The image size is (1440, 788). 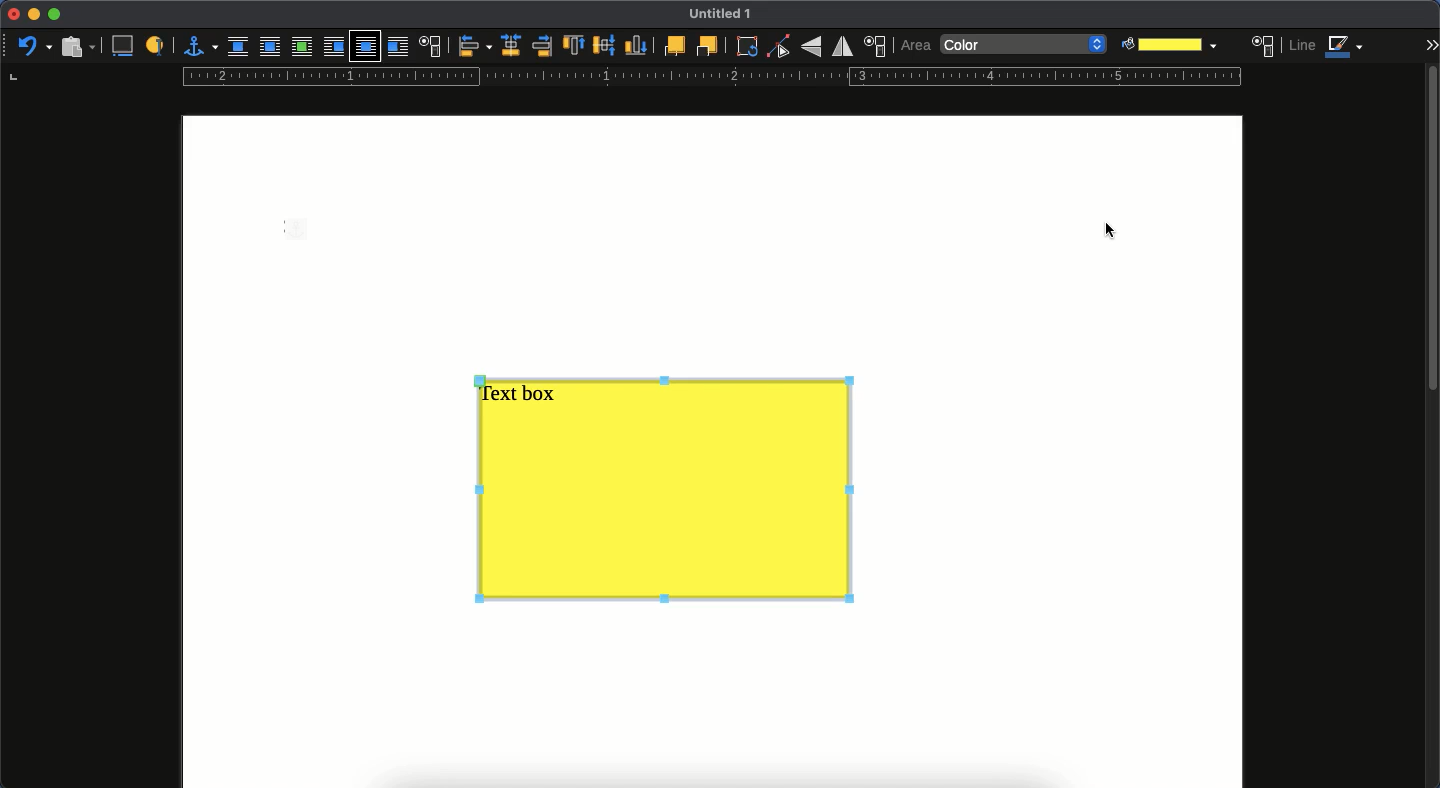 What do you see at coordinates (574, 47) in the screenshot?
I see `top` at bounding box center [574, 47].